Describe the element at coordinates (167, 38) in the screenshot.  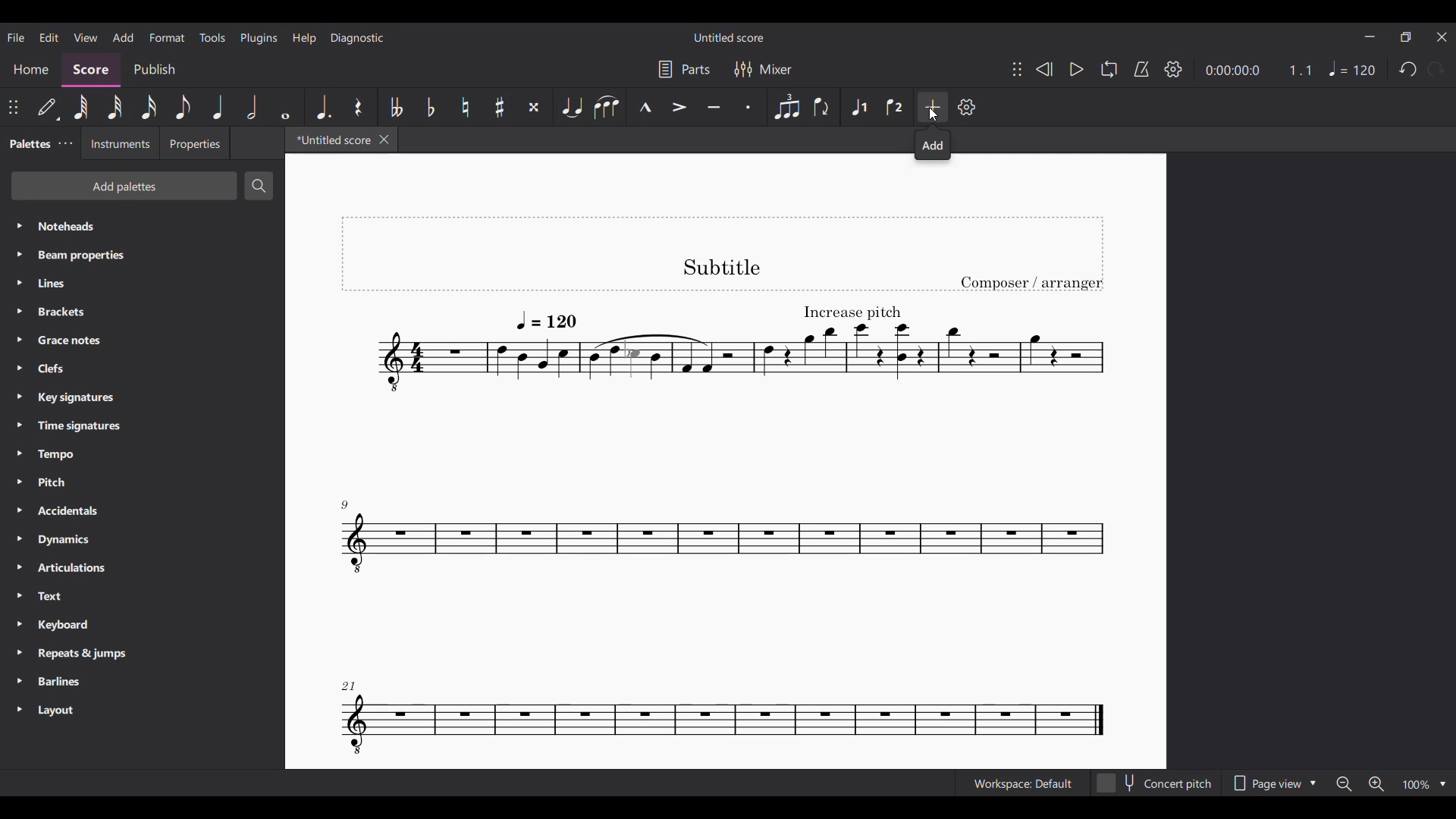
I see `Format menu` at that location.